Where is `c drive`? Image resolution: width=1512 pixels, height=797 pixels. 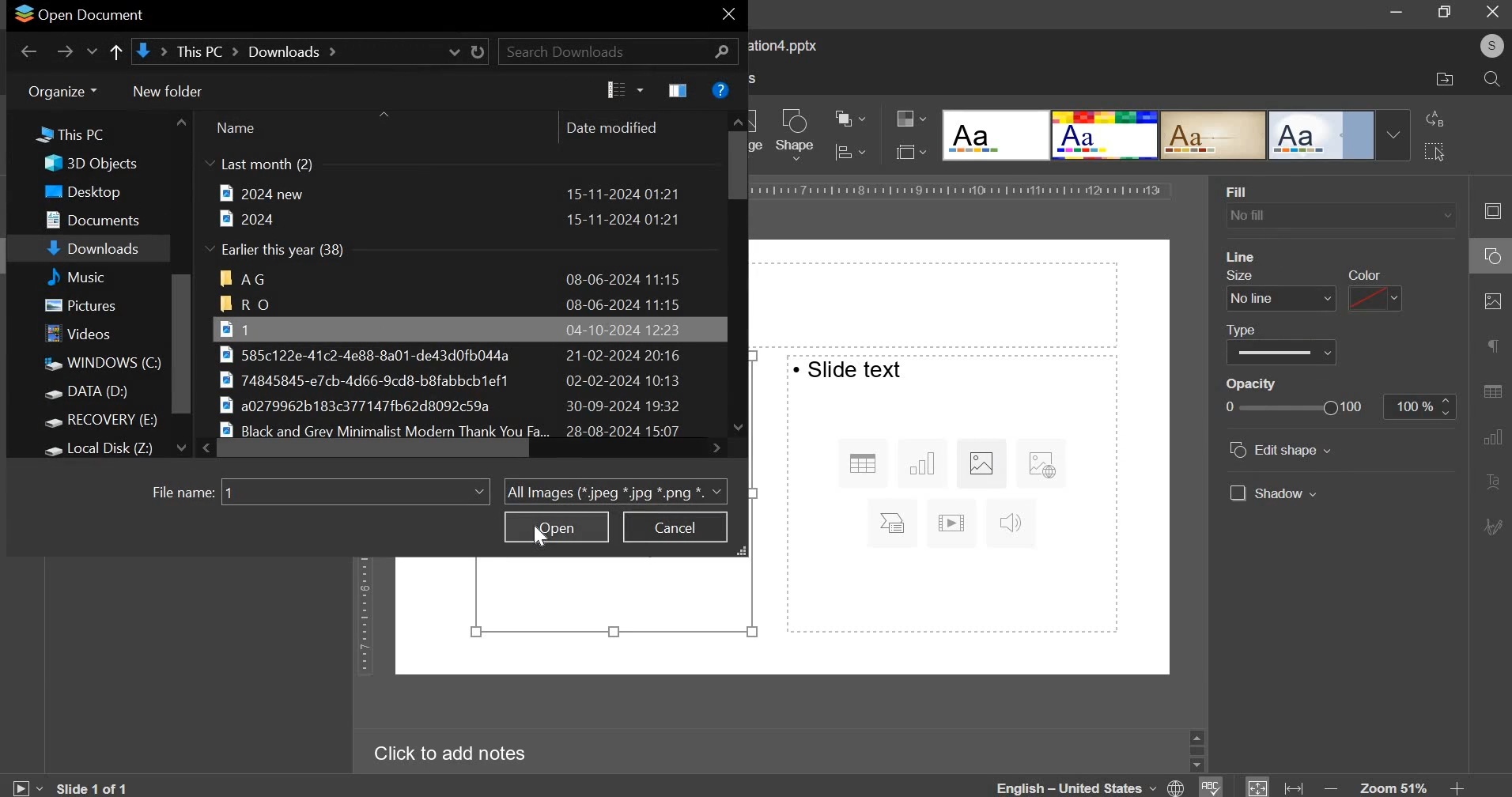 c drive is located at coordinates (100, 364).